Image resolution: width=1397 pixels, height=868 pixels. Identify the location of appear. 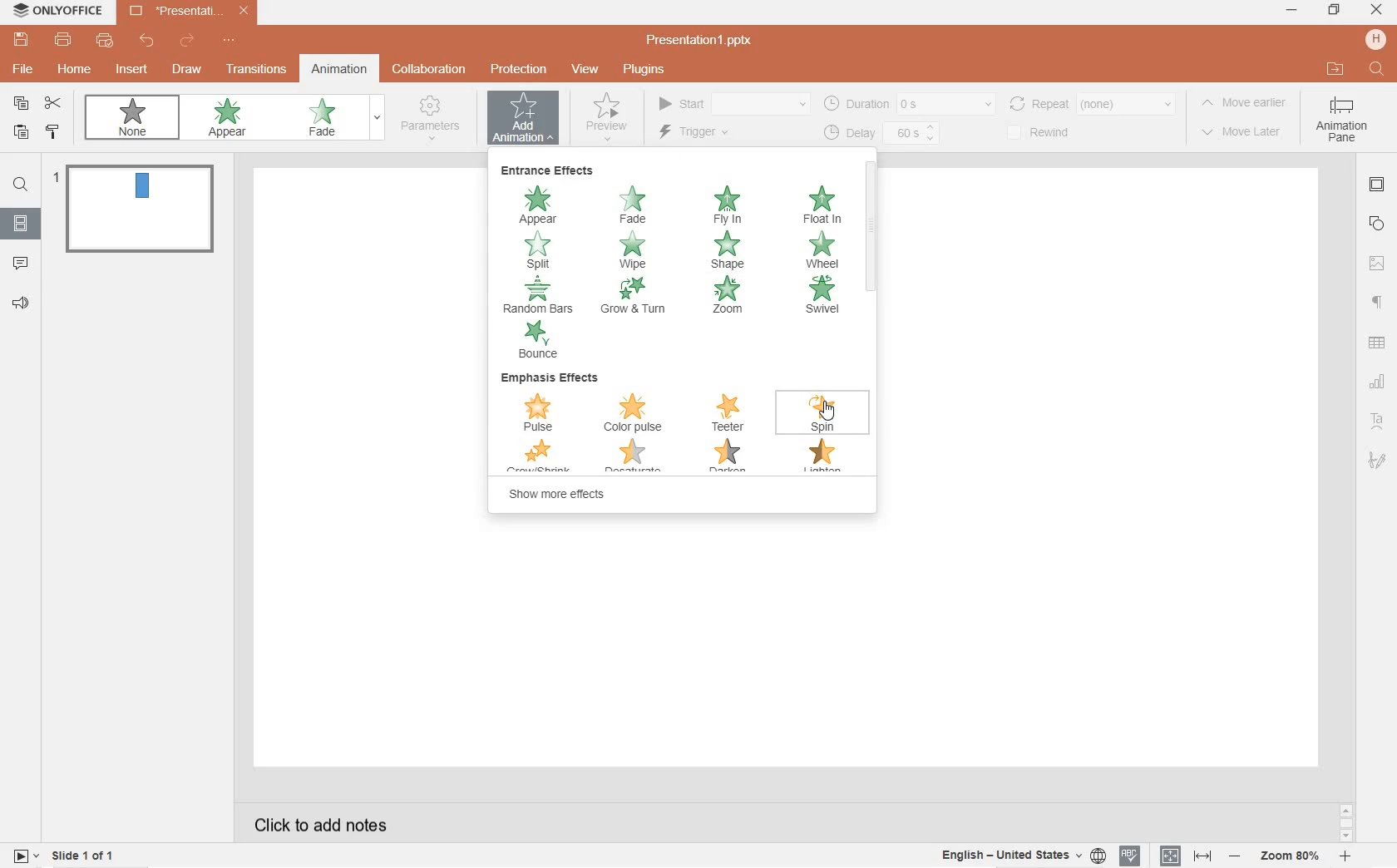
(230, 119).